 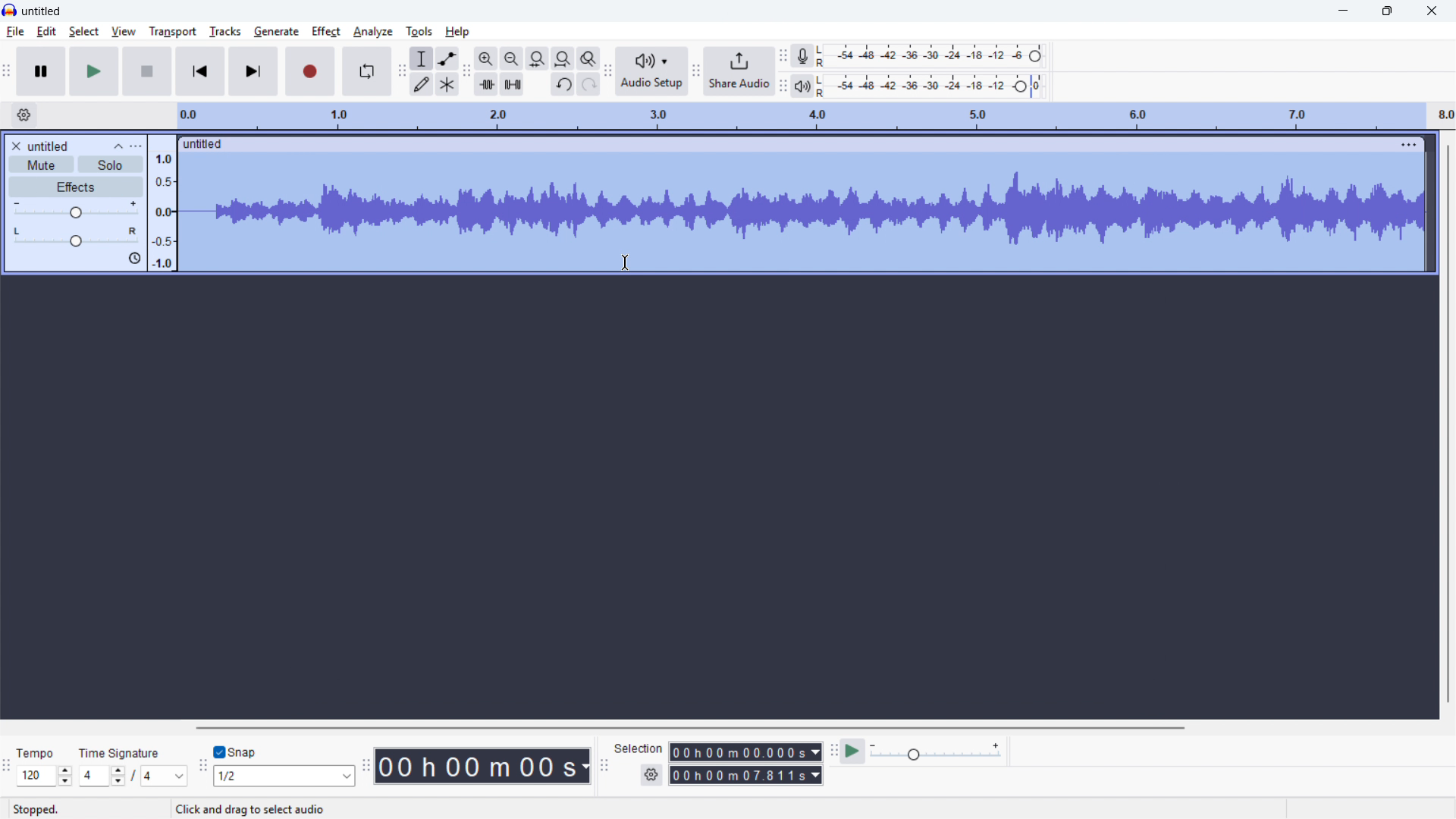 What do you see at coordinates (1341, 11) in the screenshot?
I see `minimise ` at bounding box center [1341, 11].